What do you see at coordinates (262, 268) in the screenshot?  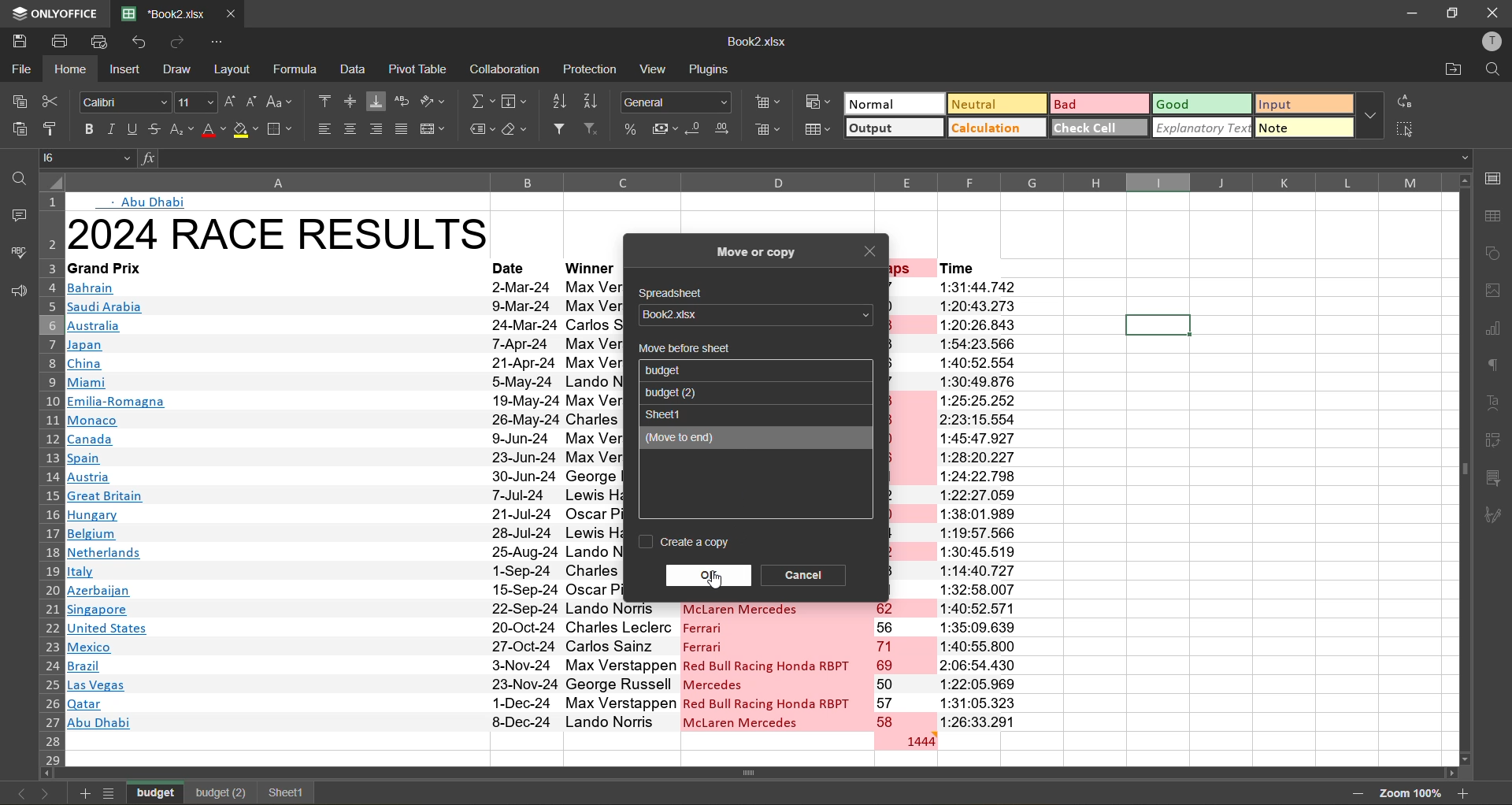 I see `grand prix` at bounding box center [262, 268].